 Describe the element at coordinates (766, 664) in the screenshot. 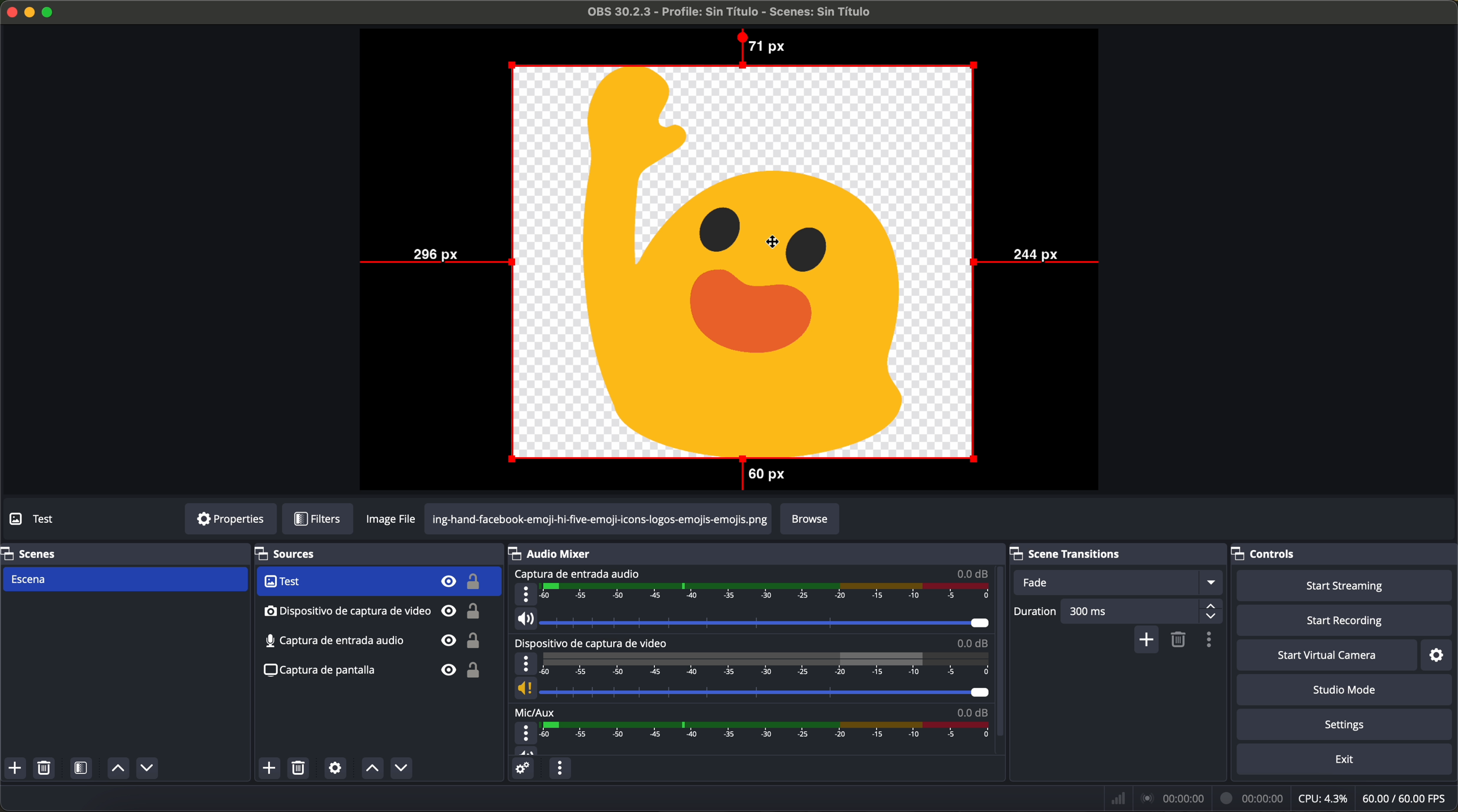

I see `timeline` at that location.